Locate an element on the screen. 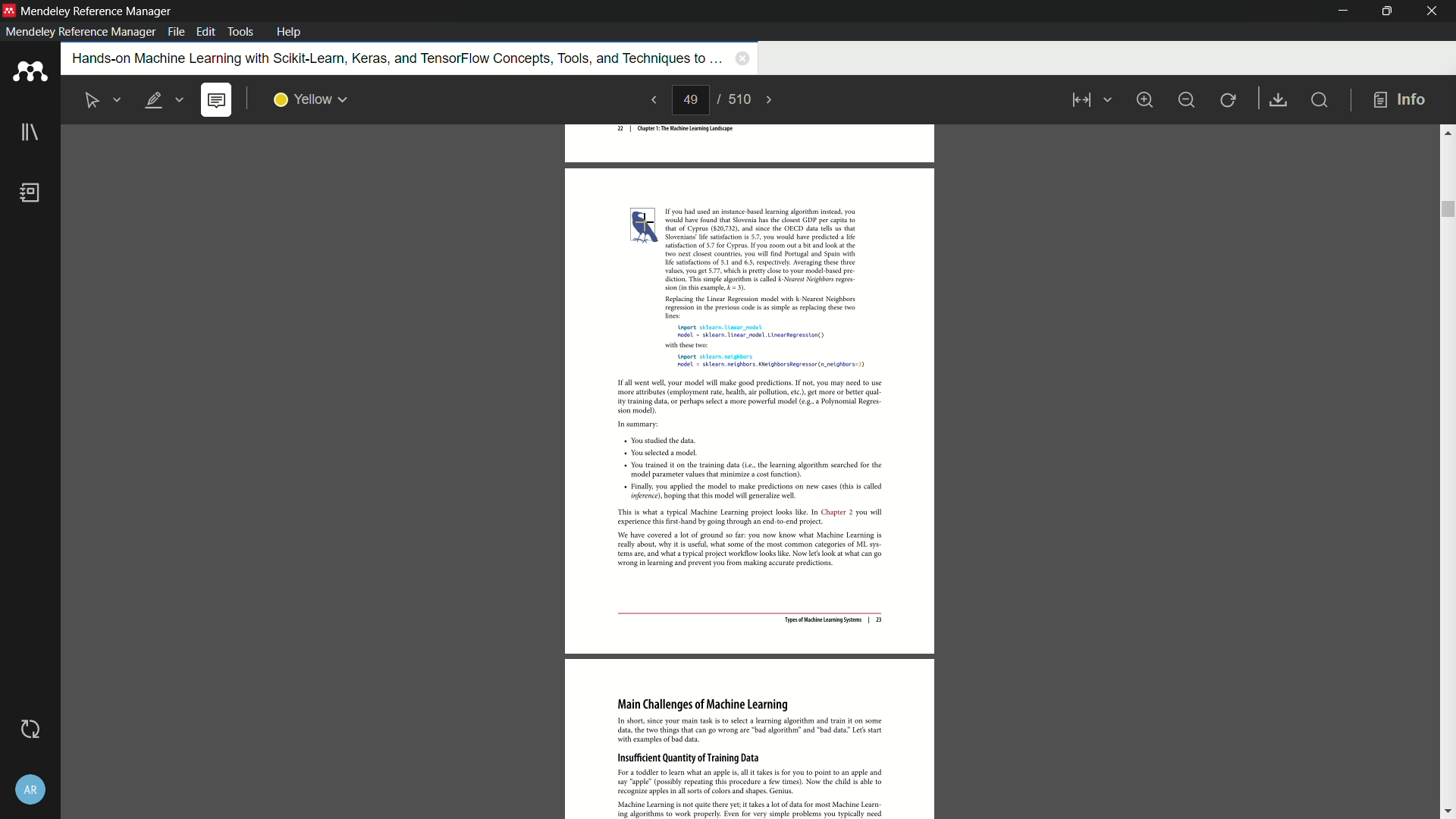 The image size is (1456, 819). account and help is located at coordinates (29, 789).